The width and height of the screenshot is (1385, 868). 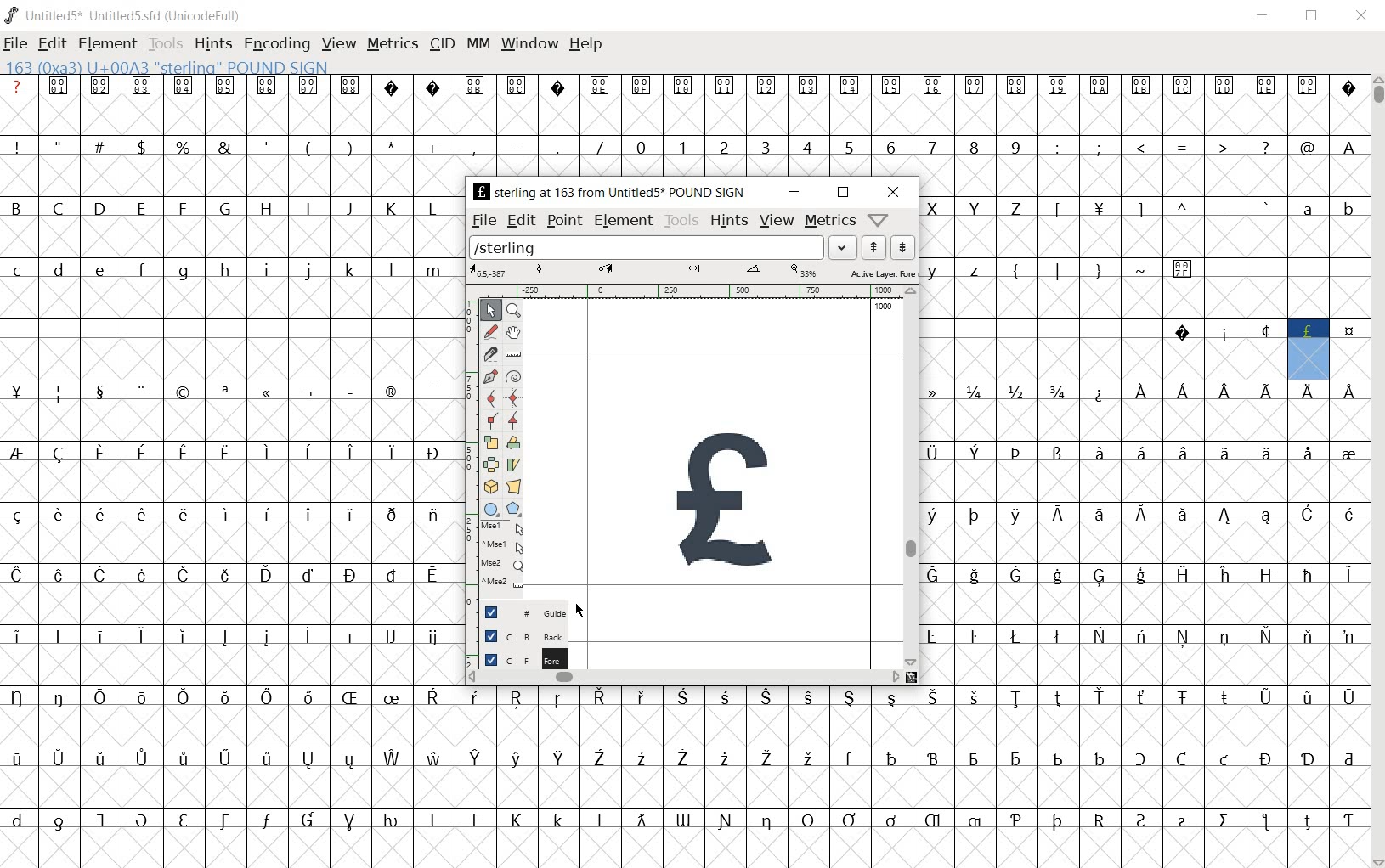 What do you see at coordinates (975, 759) in the screenshot?
I see `Symbol` at bounding box center [975, 759].